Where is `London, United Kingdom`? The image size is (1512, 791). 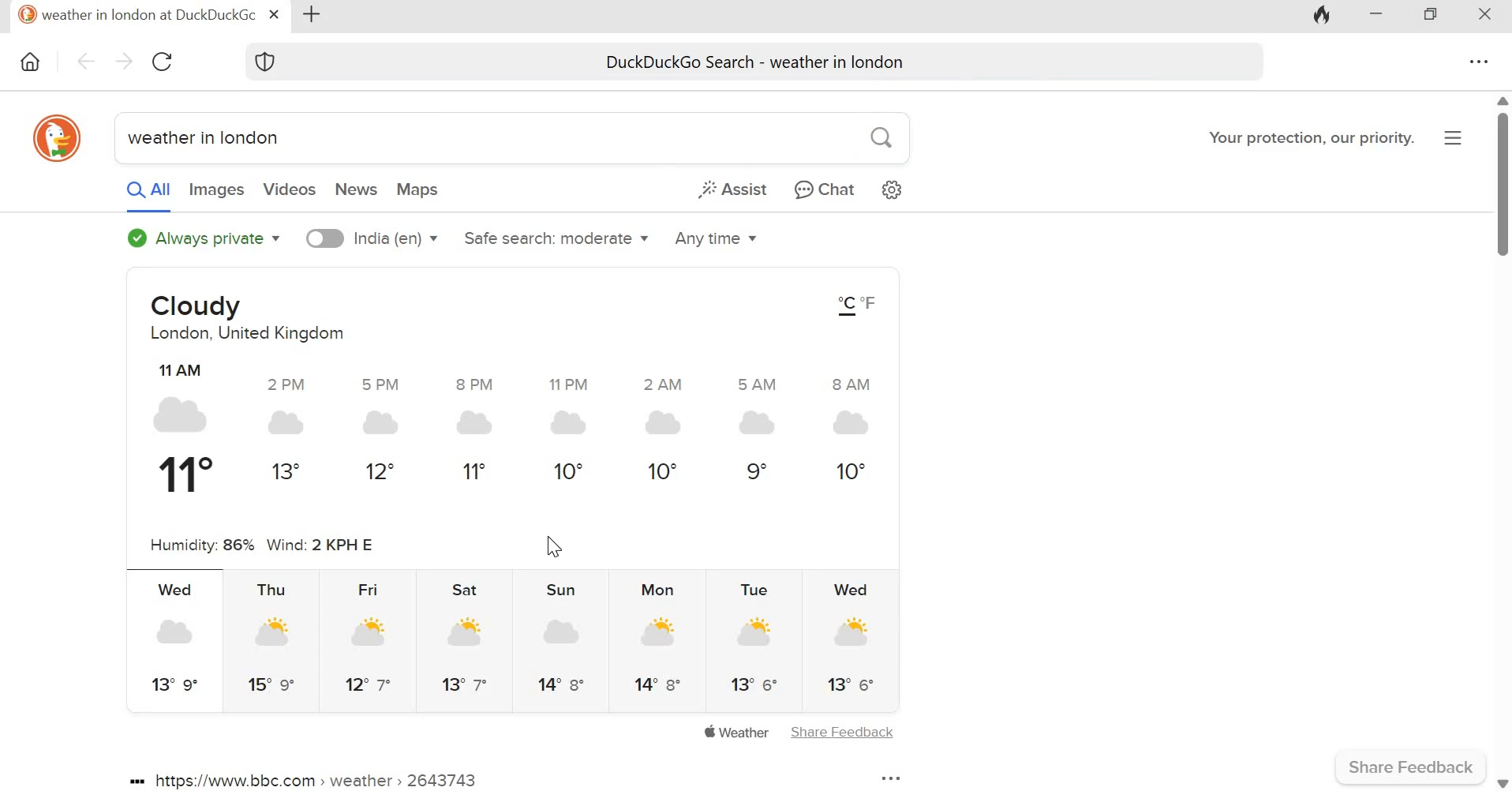 London, United Kingdom is located at coordinates (246, 334).